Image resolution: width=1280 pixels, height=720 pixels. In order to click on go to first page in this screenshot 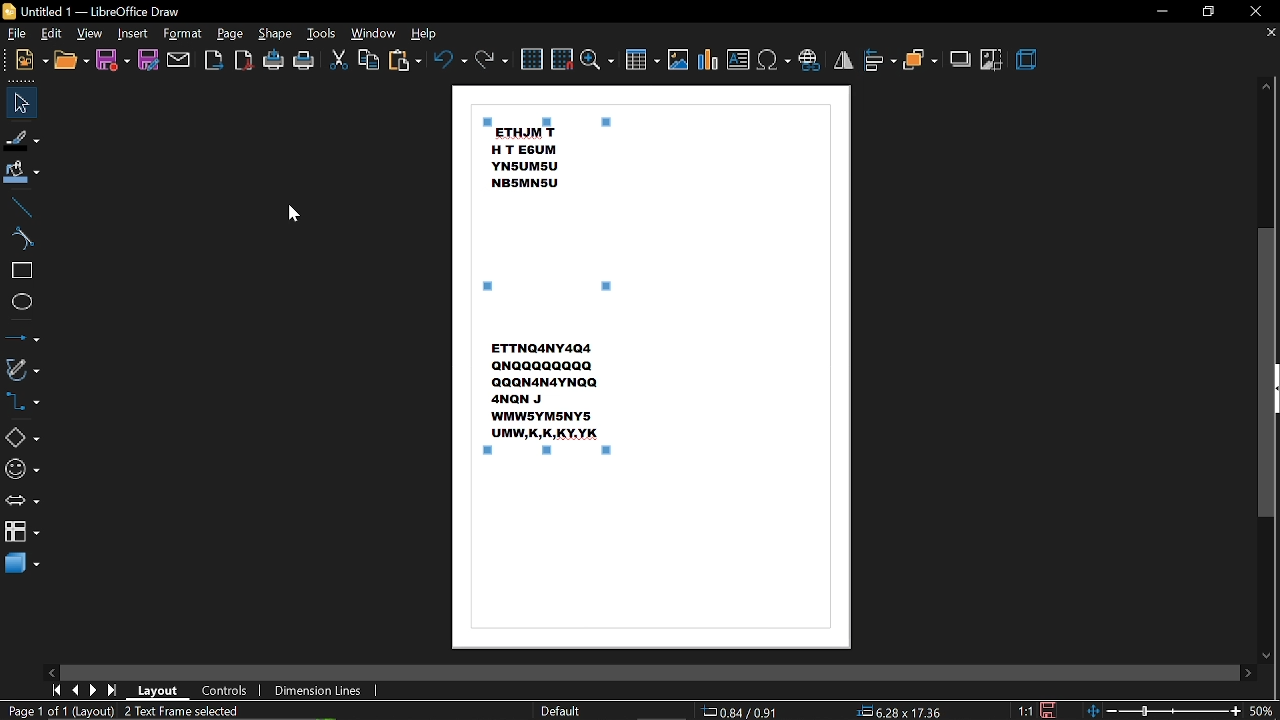, I will do `click(56, 691)`.